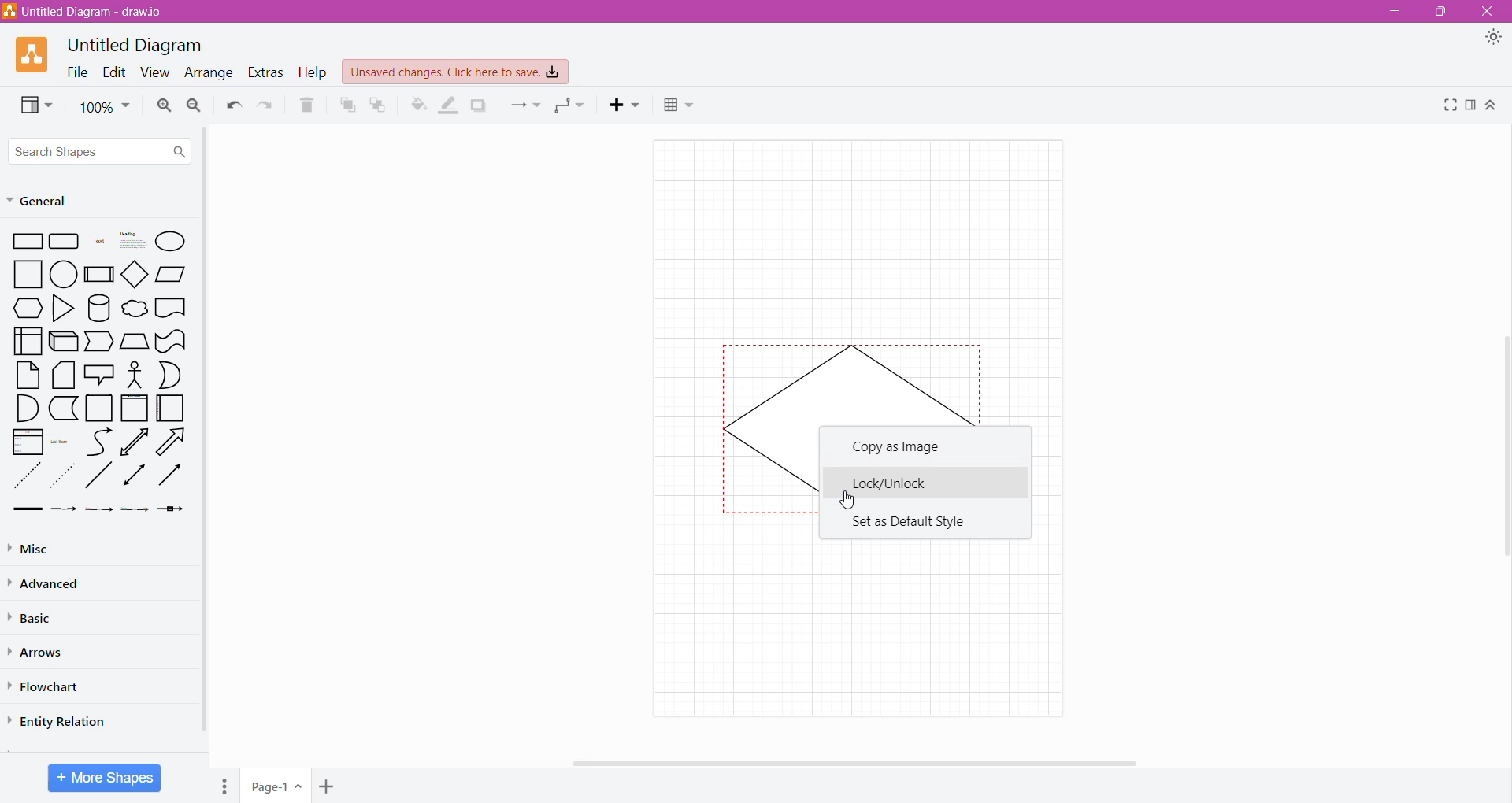 The image size is (1512, 803). Describe the element at coordinates (171, 342) in the screenshot. I see `Tape` at that location.